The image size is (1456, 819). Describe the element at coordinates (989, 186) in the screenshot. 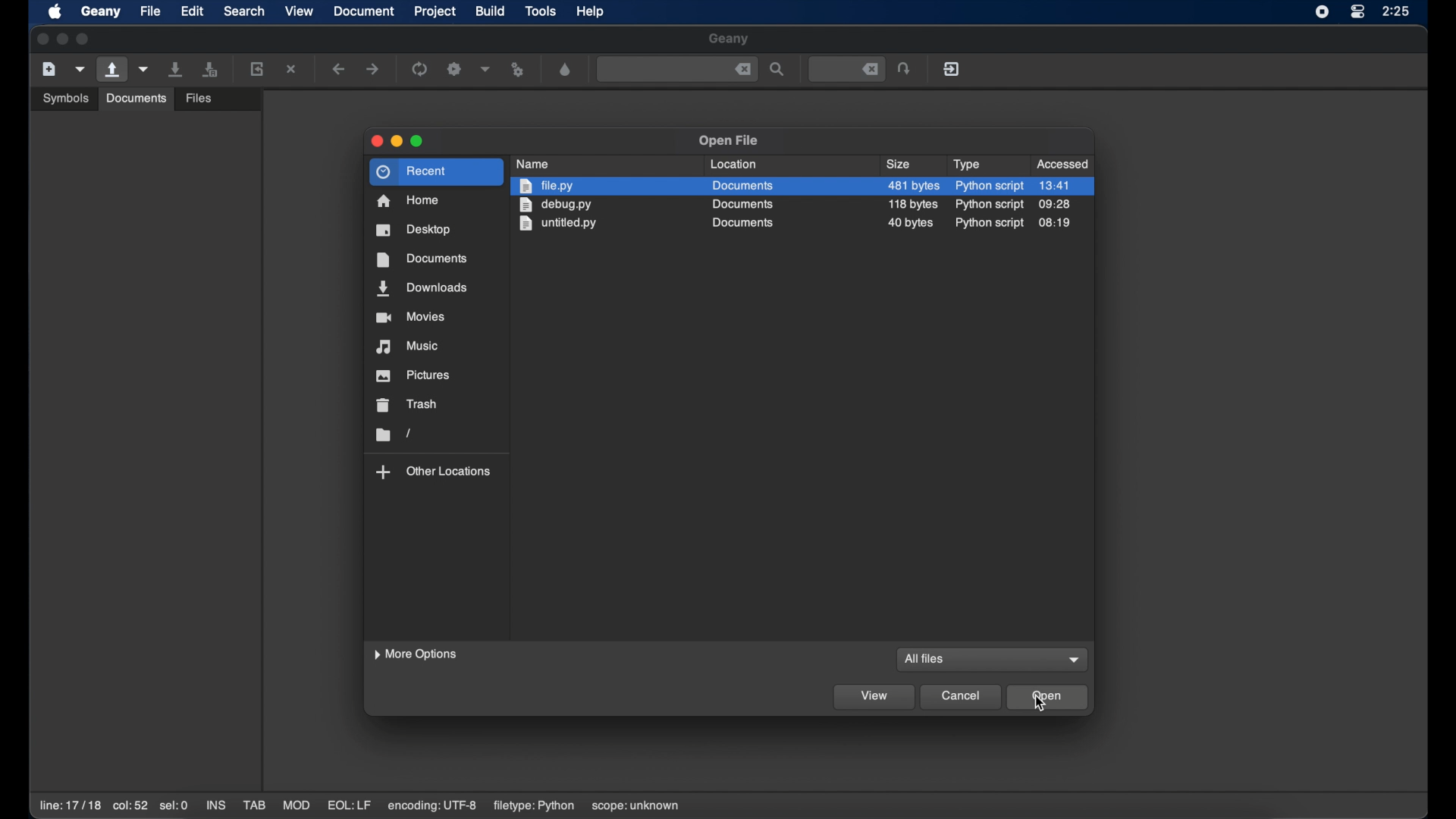

I see `python script` at that location.